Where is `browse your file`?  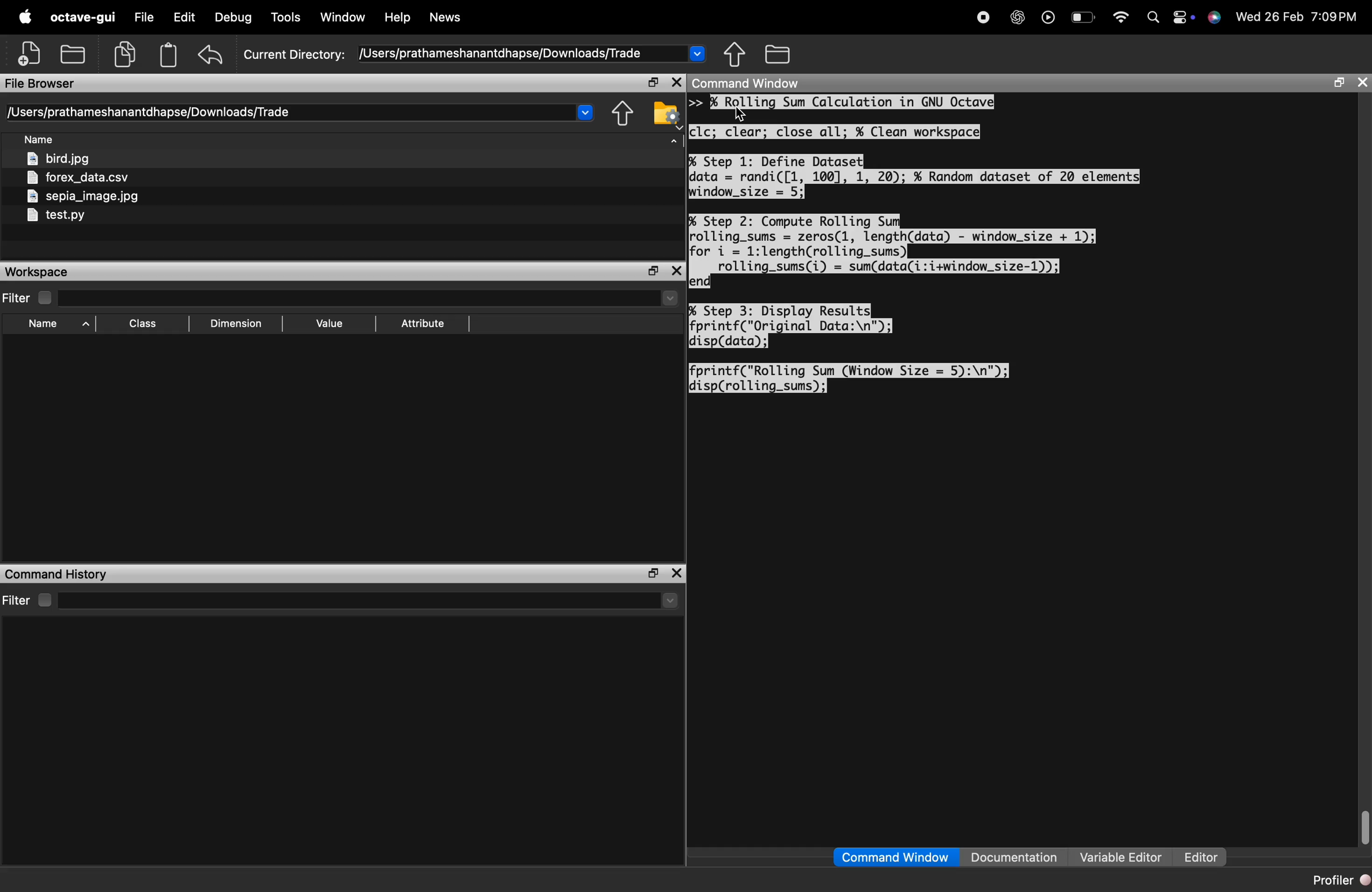 browse your file is located at coordinates (666, 113).